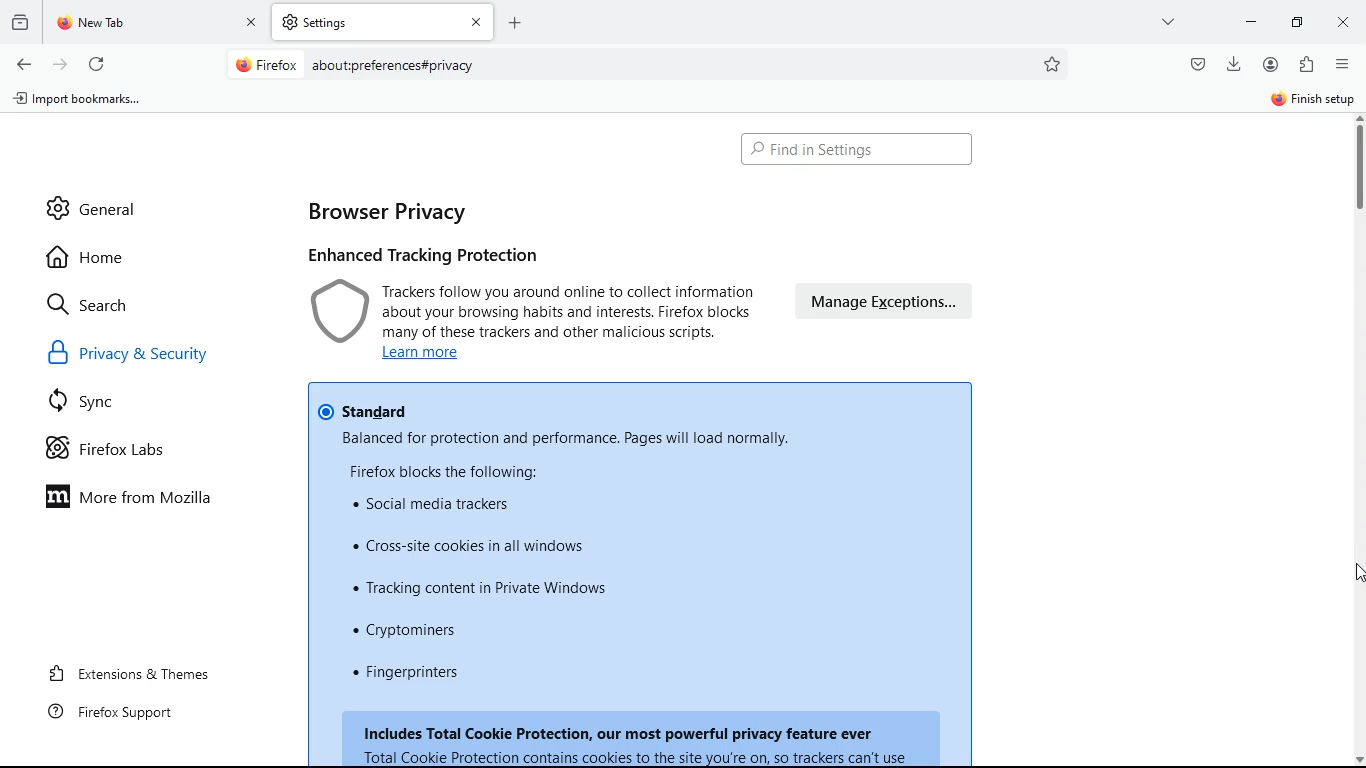 Image resolution: width=1366 pixels, height=768 pixels. What do you see at coordinates (885, 302) in the screenshot?
I see `manage exceptions` at bounding box center [885, 302].